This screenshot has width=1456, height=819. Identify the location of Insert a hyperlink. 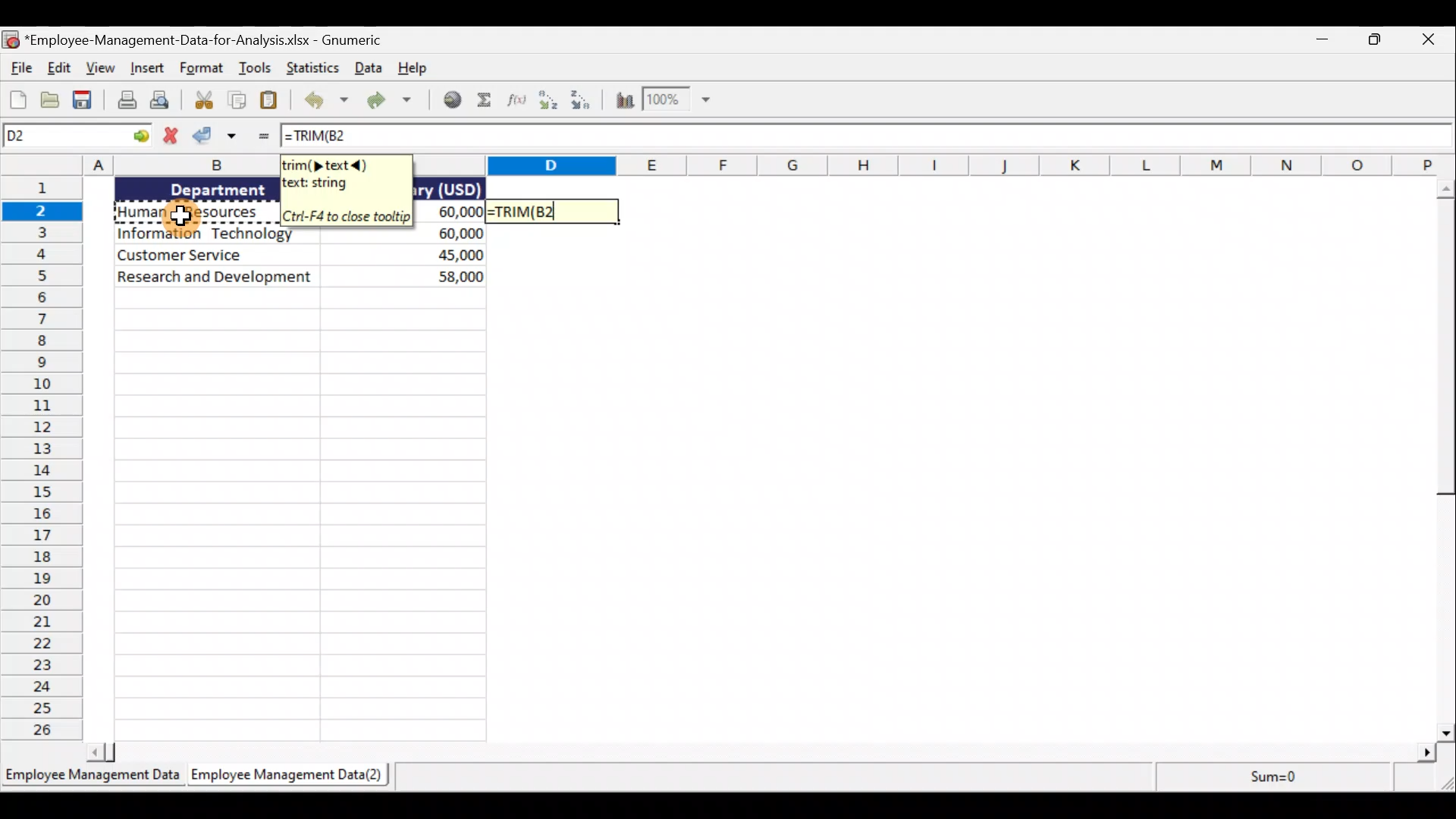
(454, 100).